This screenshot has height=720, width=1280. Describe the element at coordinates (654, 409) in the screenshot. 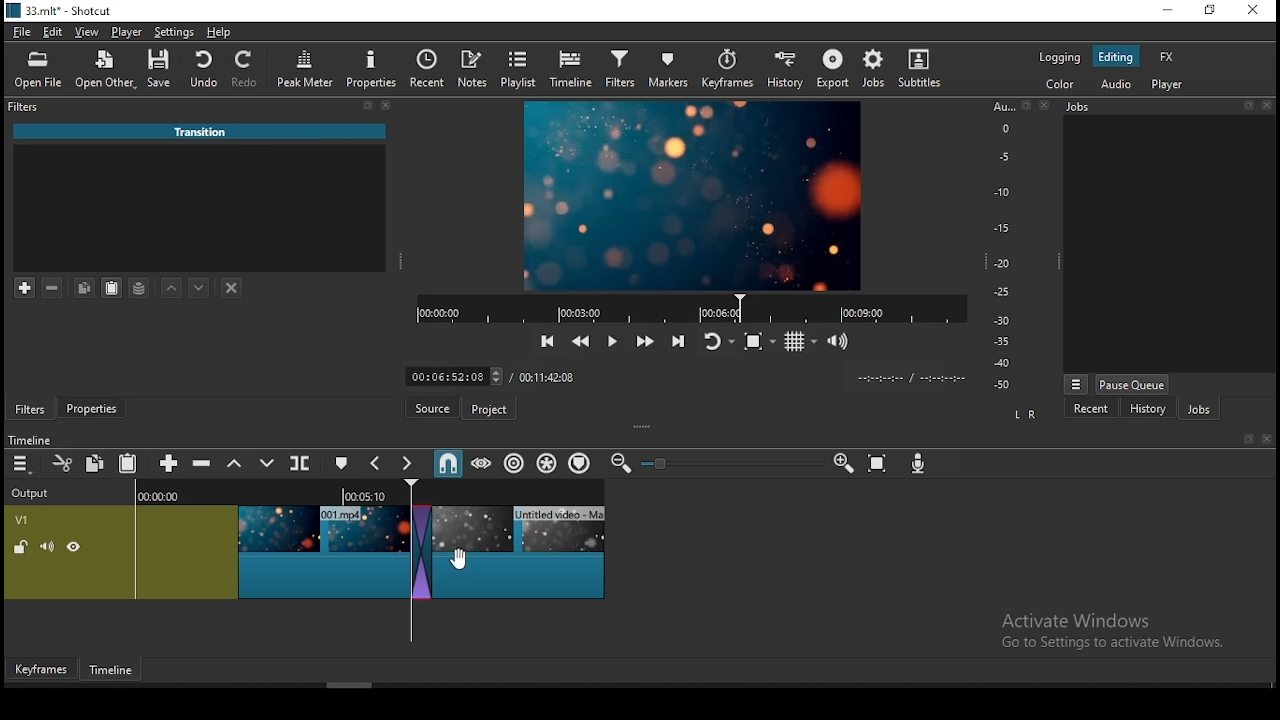

I see `Click here to check for a new version of Shotcut.` at that location.